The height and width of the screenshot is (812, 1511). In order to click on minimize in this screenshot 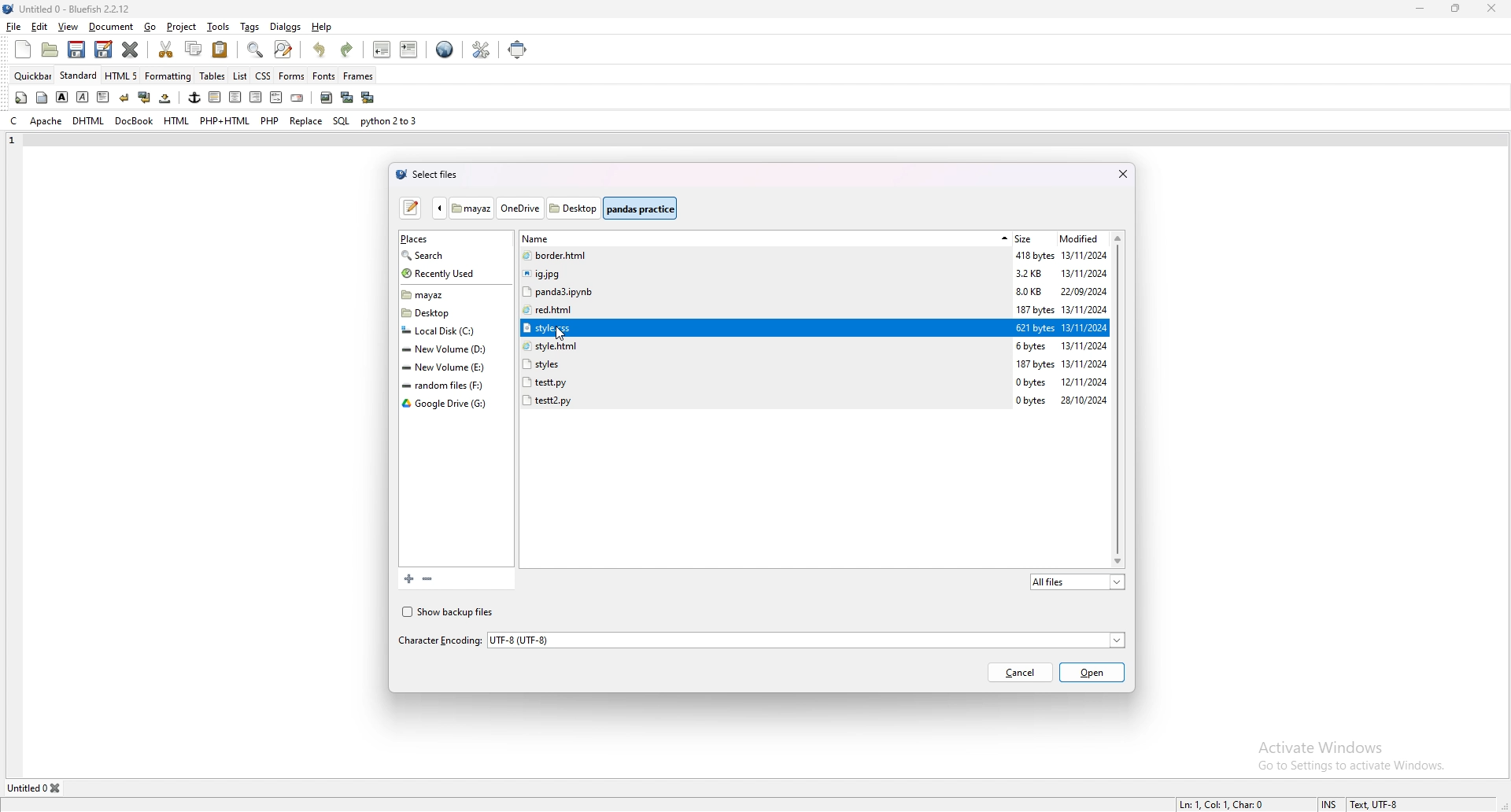, I will do `click(1422, 9)`.